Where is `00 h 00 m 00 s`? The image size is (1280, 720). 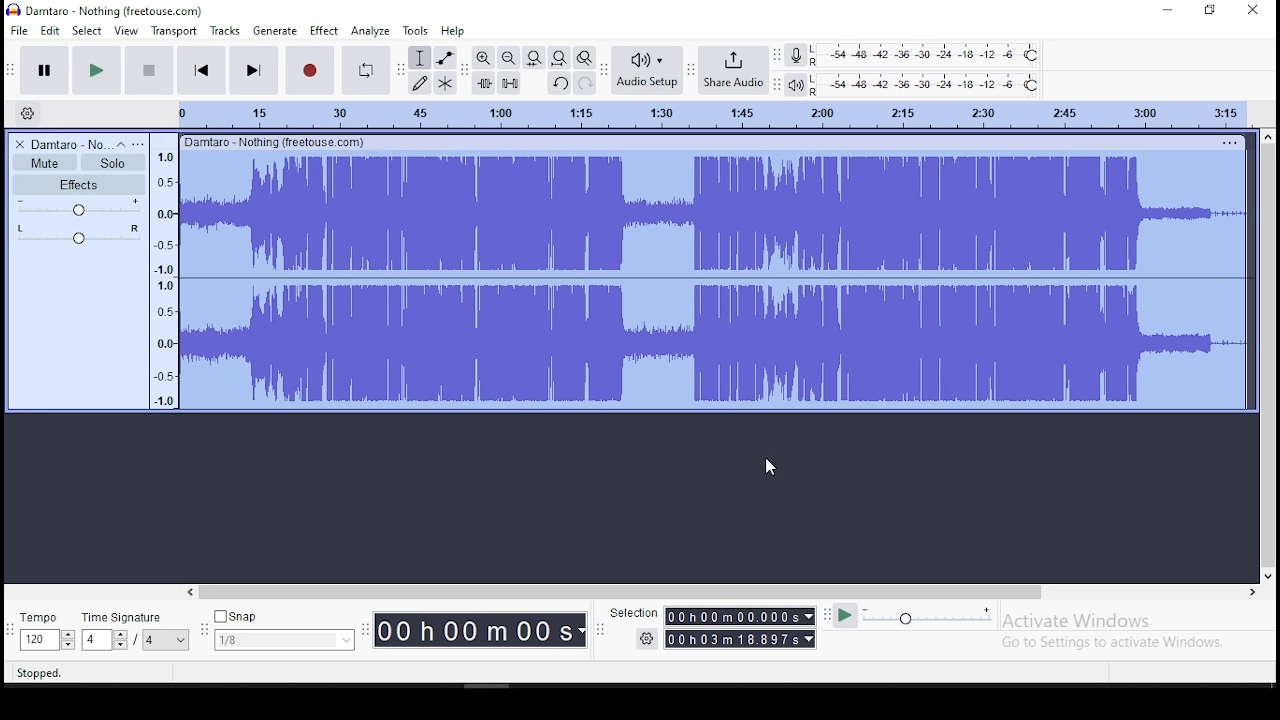
00 h 00 m 00 s is located at coordinates (479, 631).